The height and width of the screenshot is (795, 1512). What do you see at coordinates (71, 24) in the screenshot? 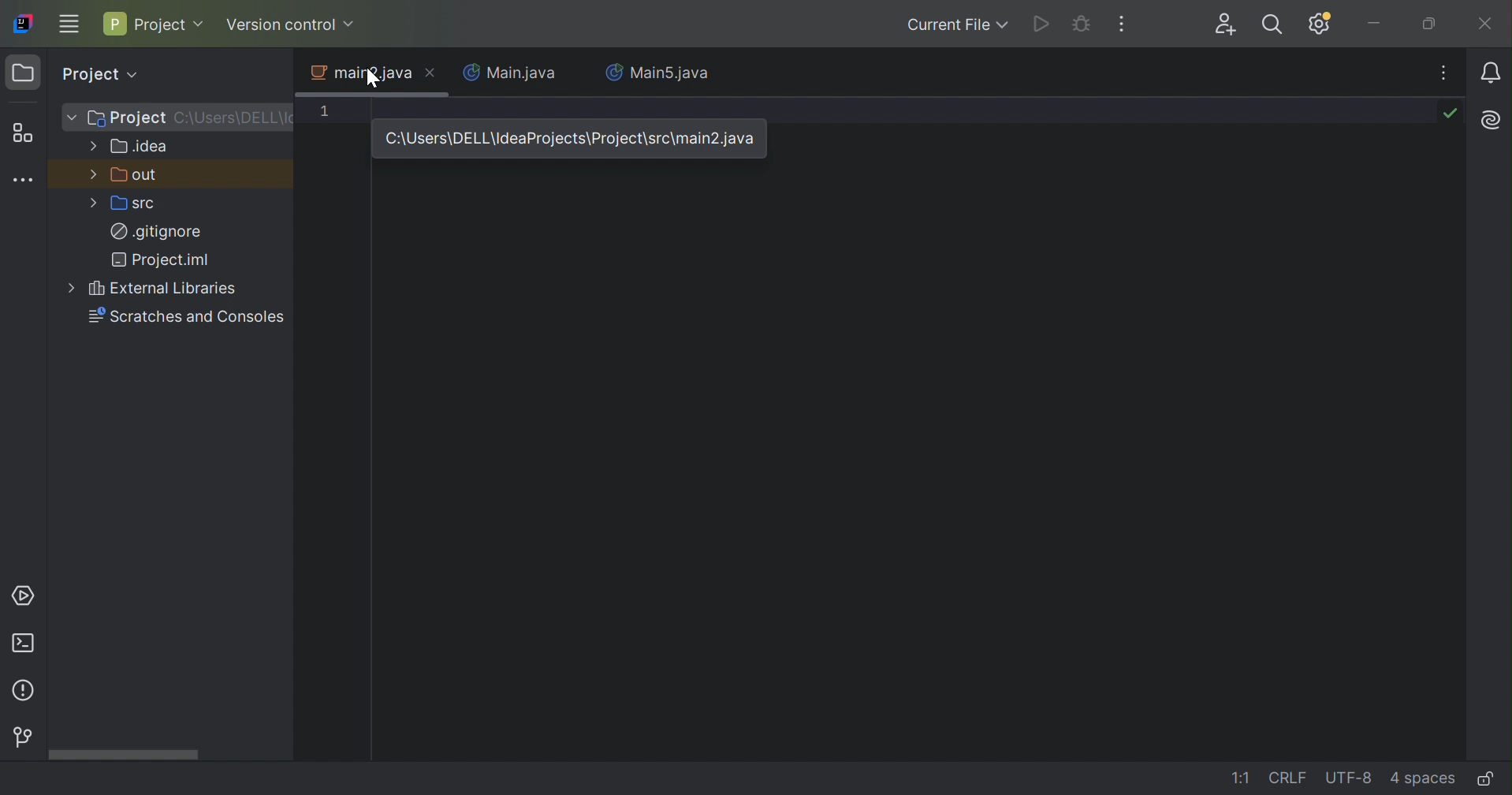
I see `Main menu` at bounding box center [71, 24].